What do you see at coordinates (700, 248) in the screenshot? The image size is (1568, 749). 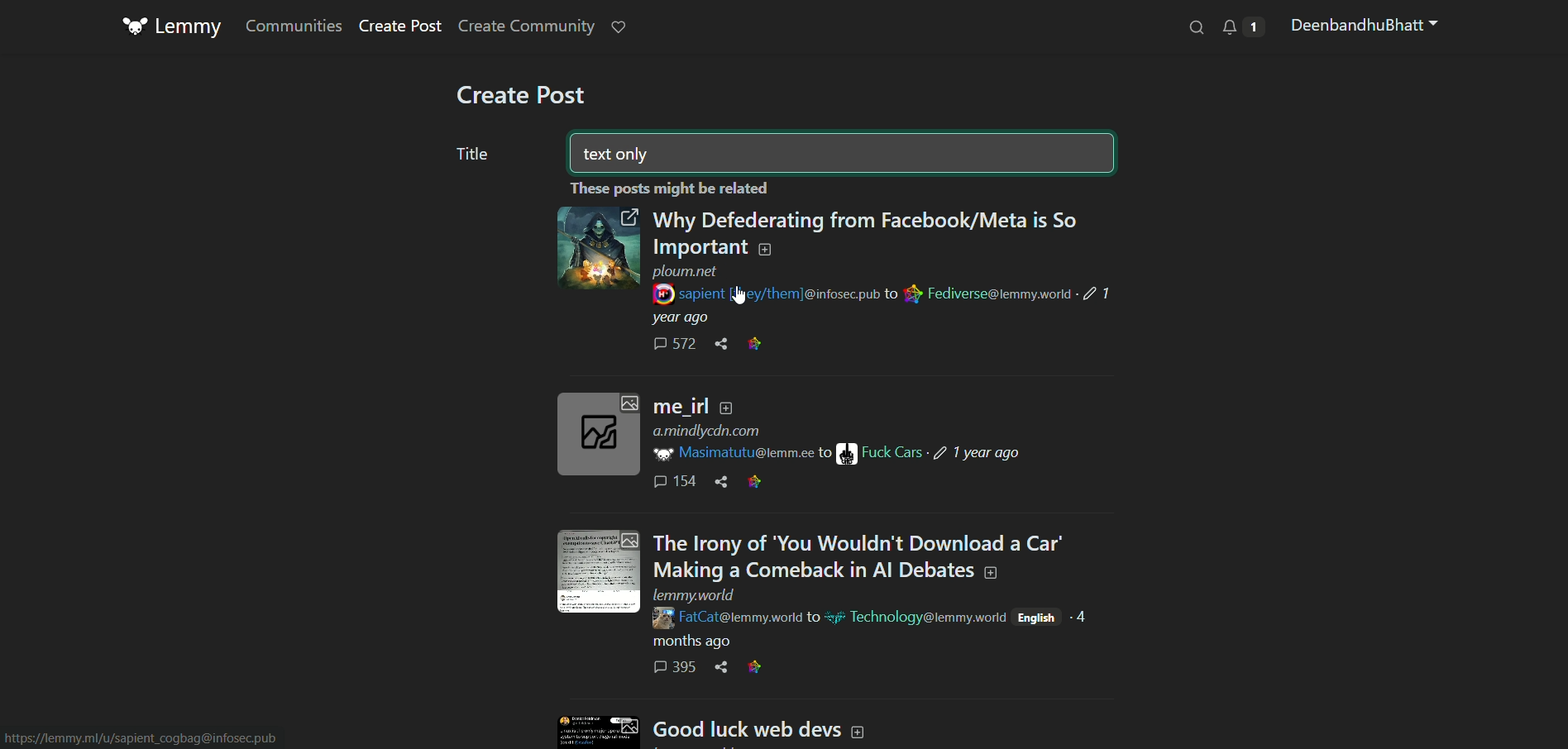 I see `Post text` at bounding box center [700, 248].